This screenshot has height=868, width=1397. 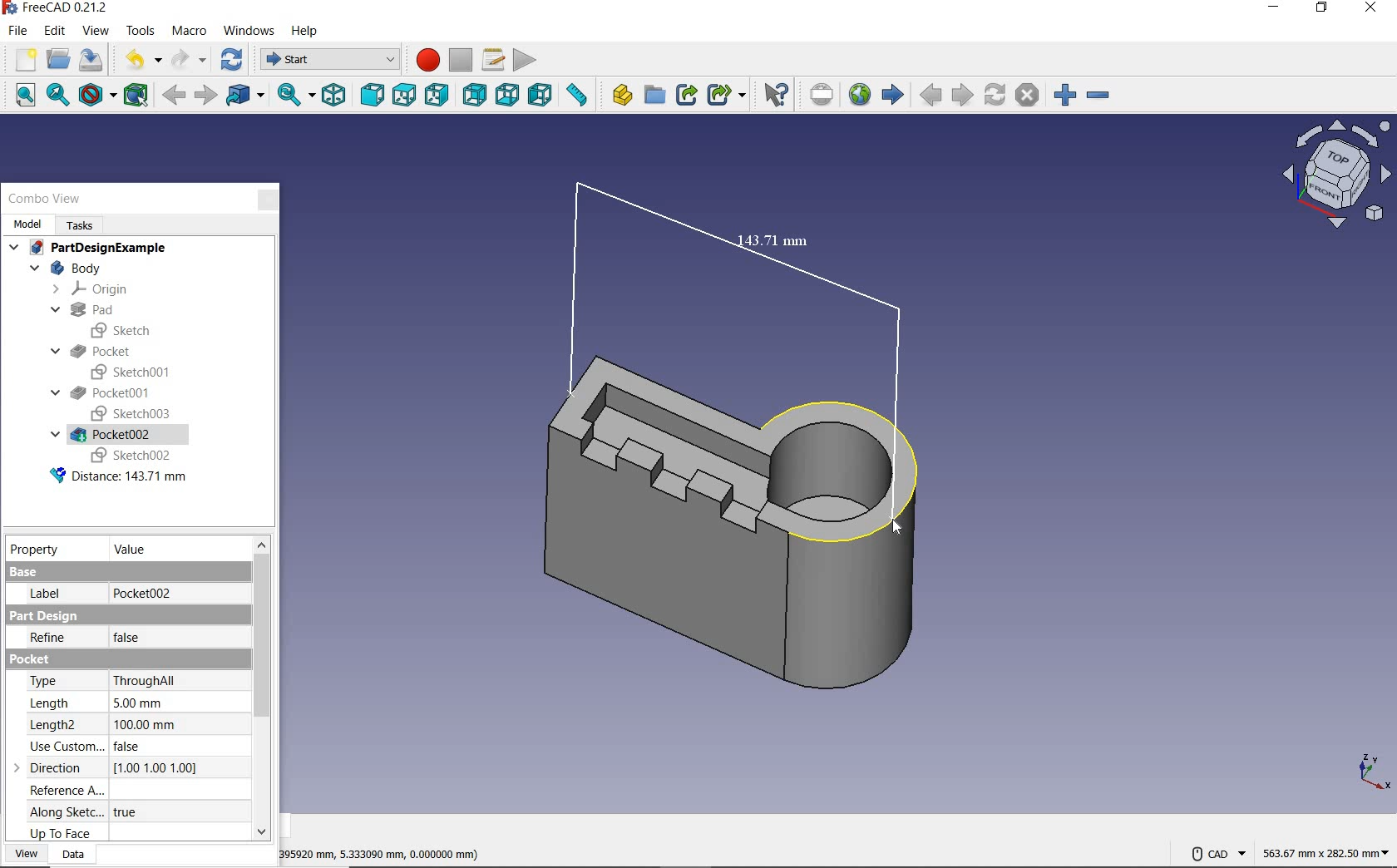 I want to click on draw style, so click(x=96, y=96).